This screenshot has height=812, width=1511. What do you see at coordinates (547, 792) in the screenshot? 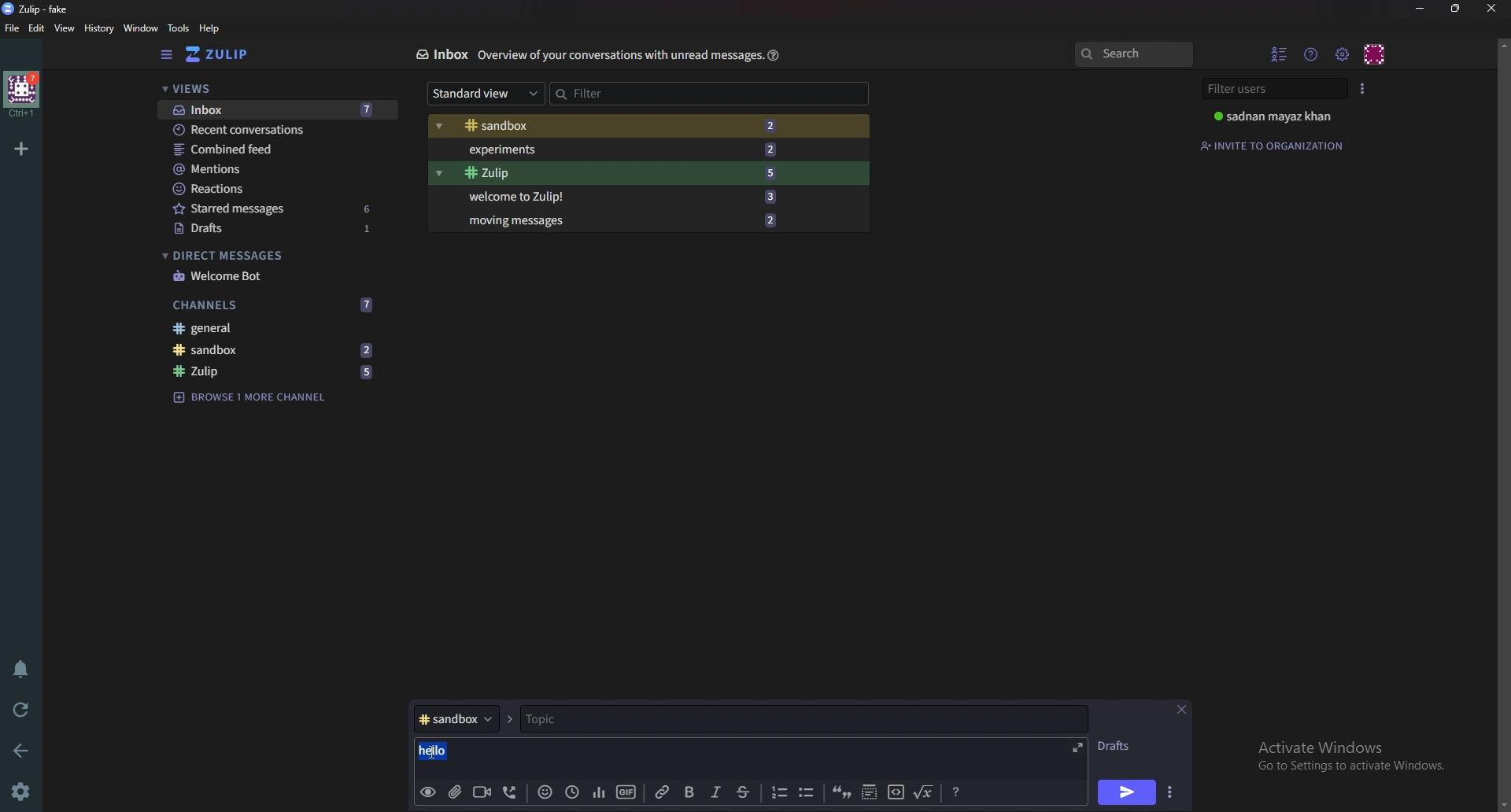
I see `Emoji` at bounding box center [547, 792].